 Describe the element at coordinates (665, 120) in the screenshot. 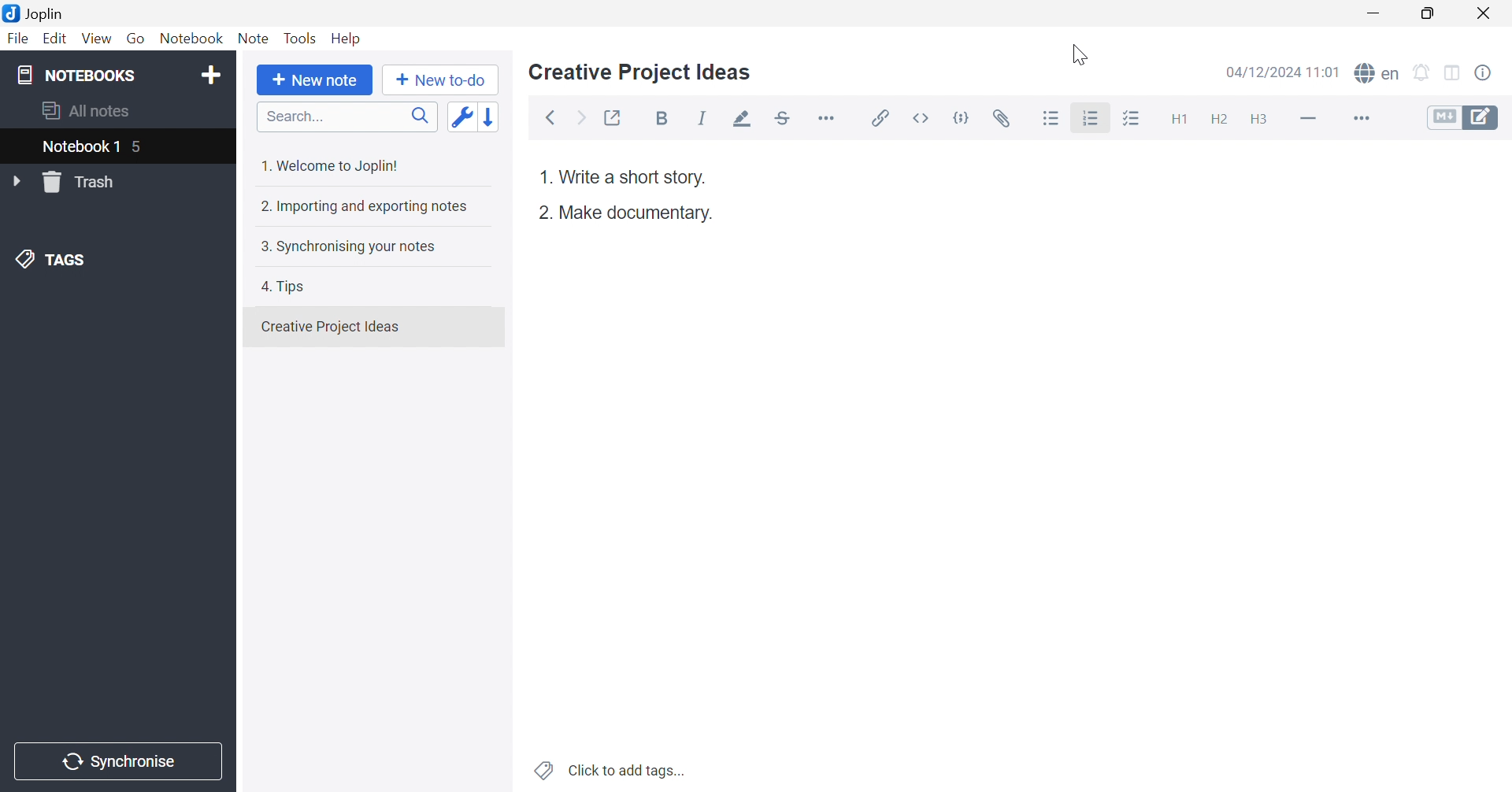

I see `Bold` at that location.